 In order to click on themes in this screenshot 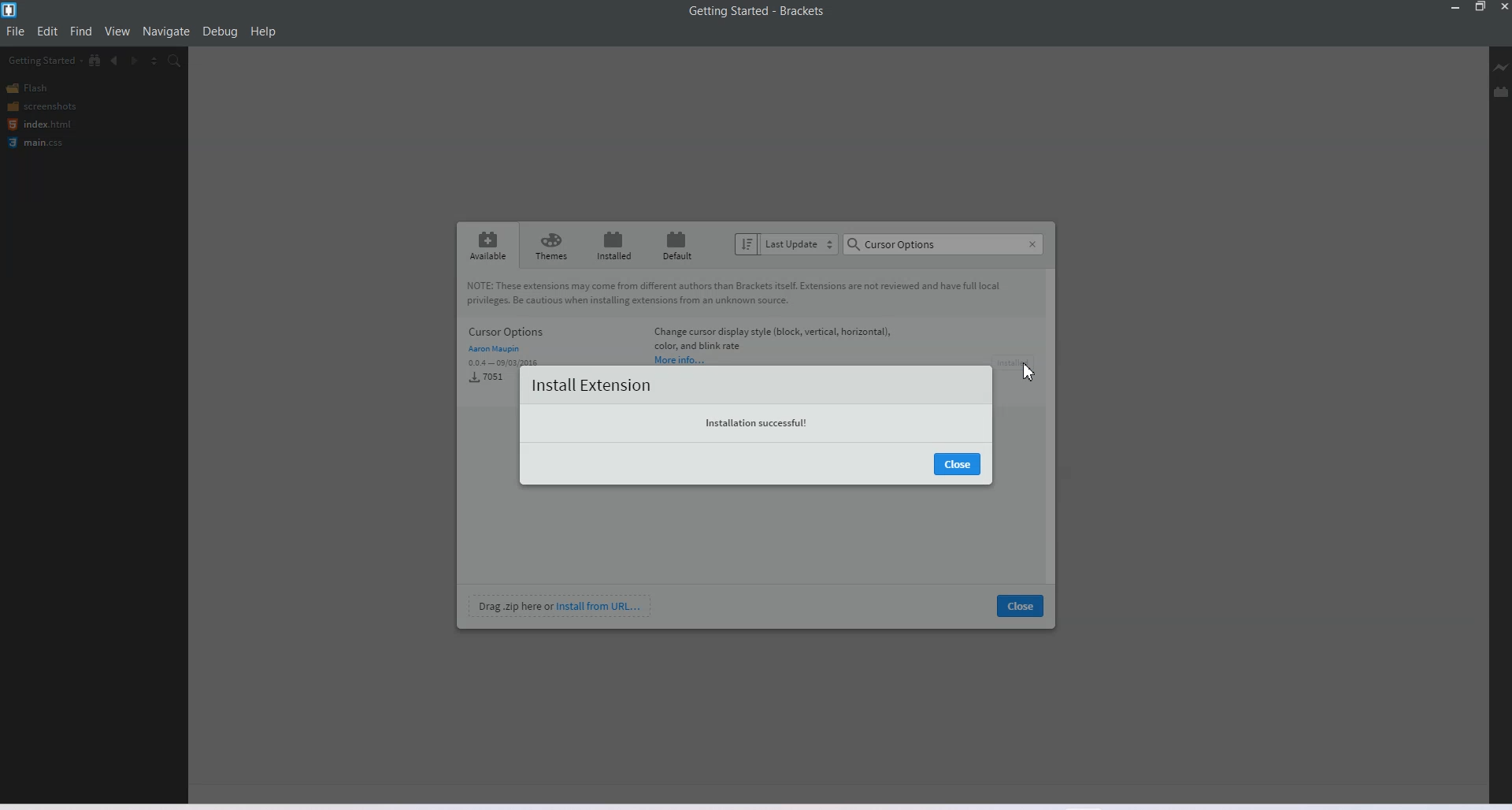, I will do `click(552, 244)`.